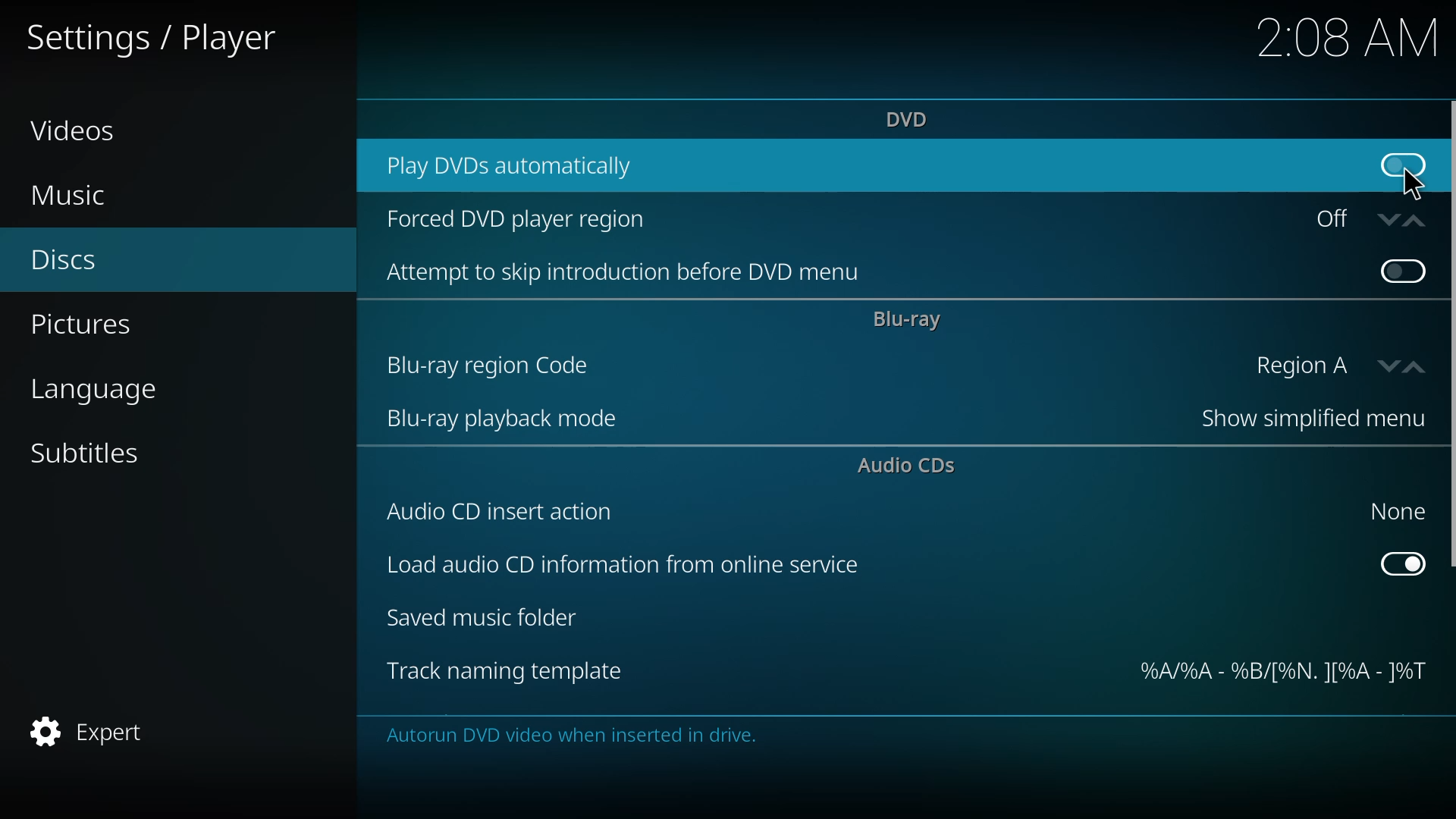 The width and height of the screenshot is (1456, 819). Describe the element at coordinates (87, 326) in the screenshot. I see `pictures` at that location.